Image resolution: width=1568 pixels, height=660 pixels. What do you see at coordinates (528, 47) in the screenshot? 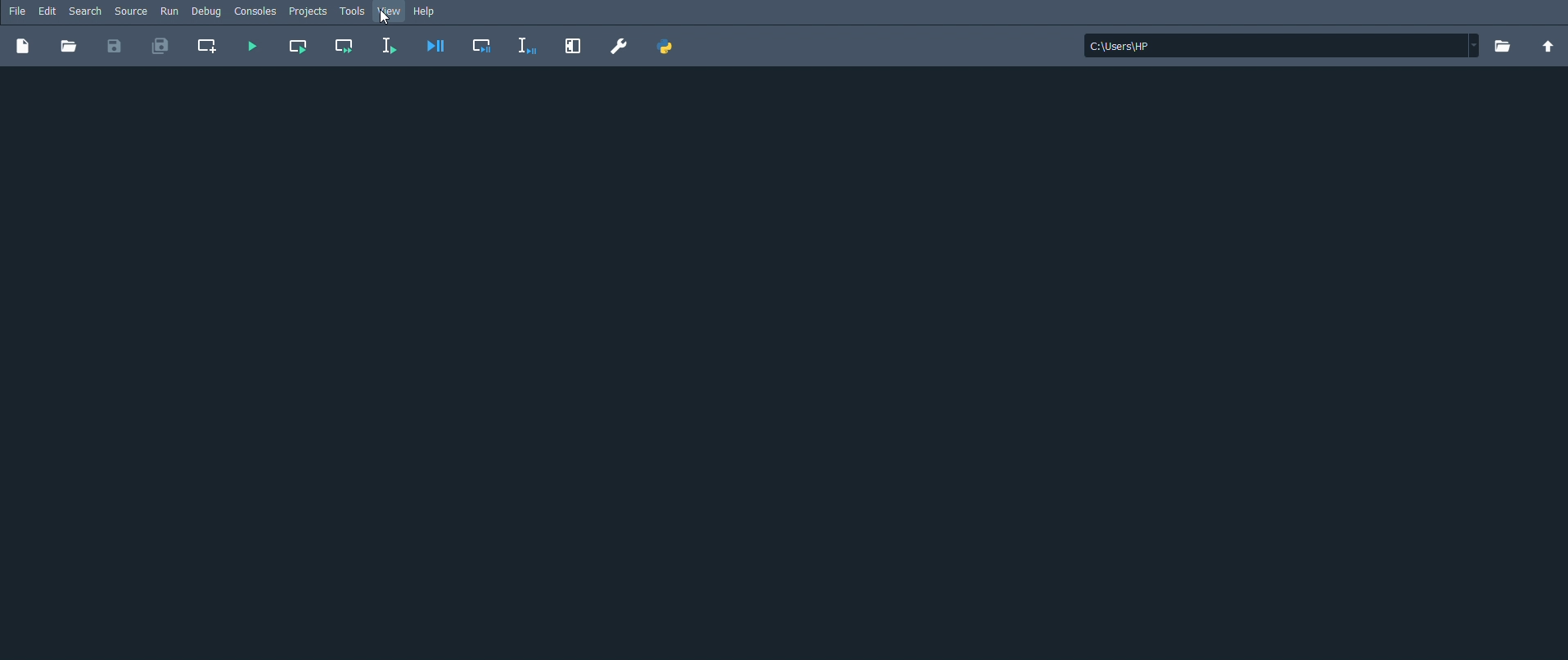
I see `Debug selection or current line` at bounding box center [528, 47].